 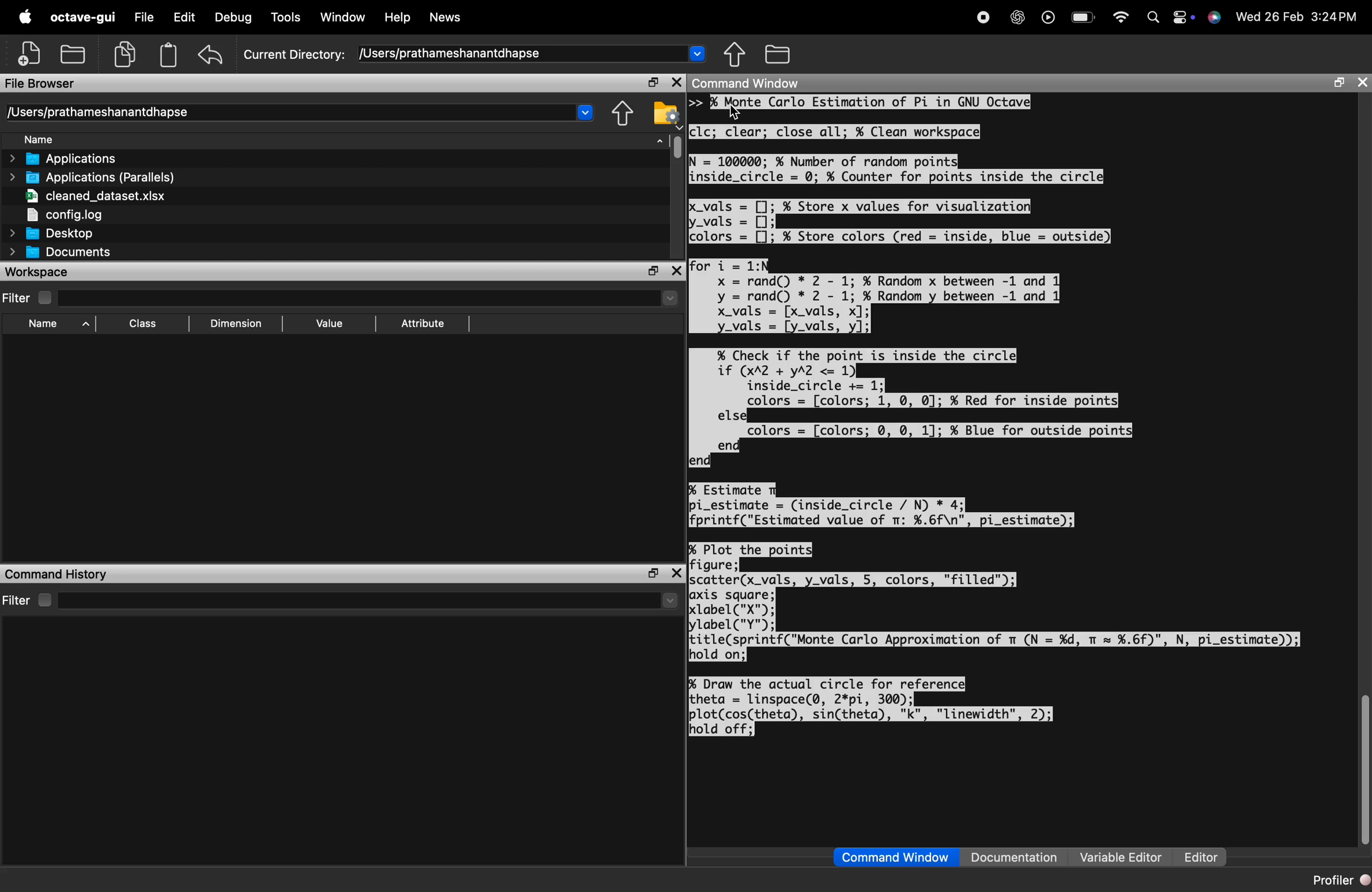 I want to click on recorder, so click(x=981, y=18).